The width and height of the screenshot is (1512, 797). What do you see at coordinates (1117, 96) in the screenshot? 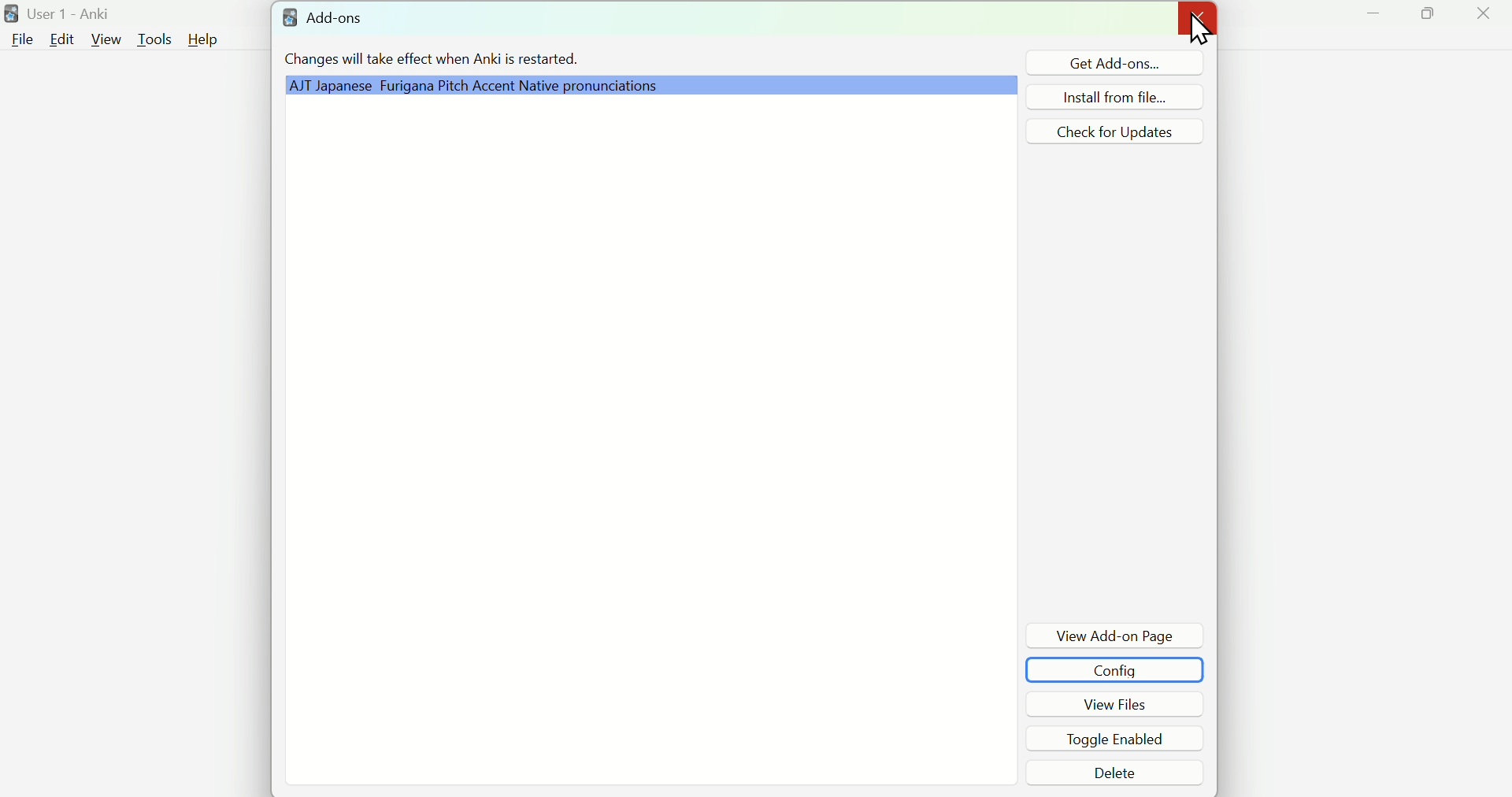
I see `Install from file...` at bounding box center [1117, 96].